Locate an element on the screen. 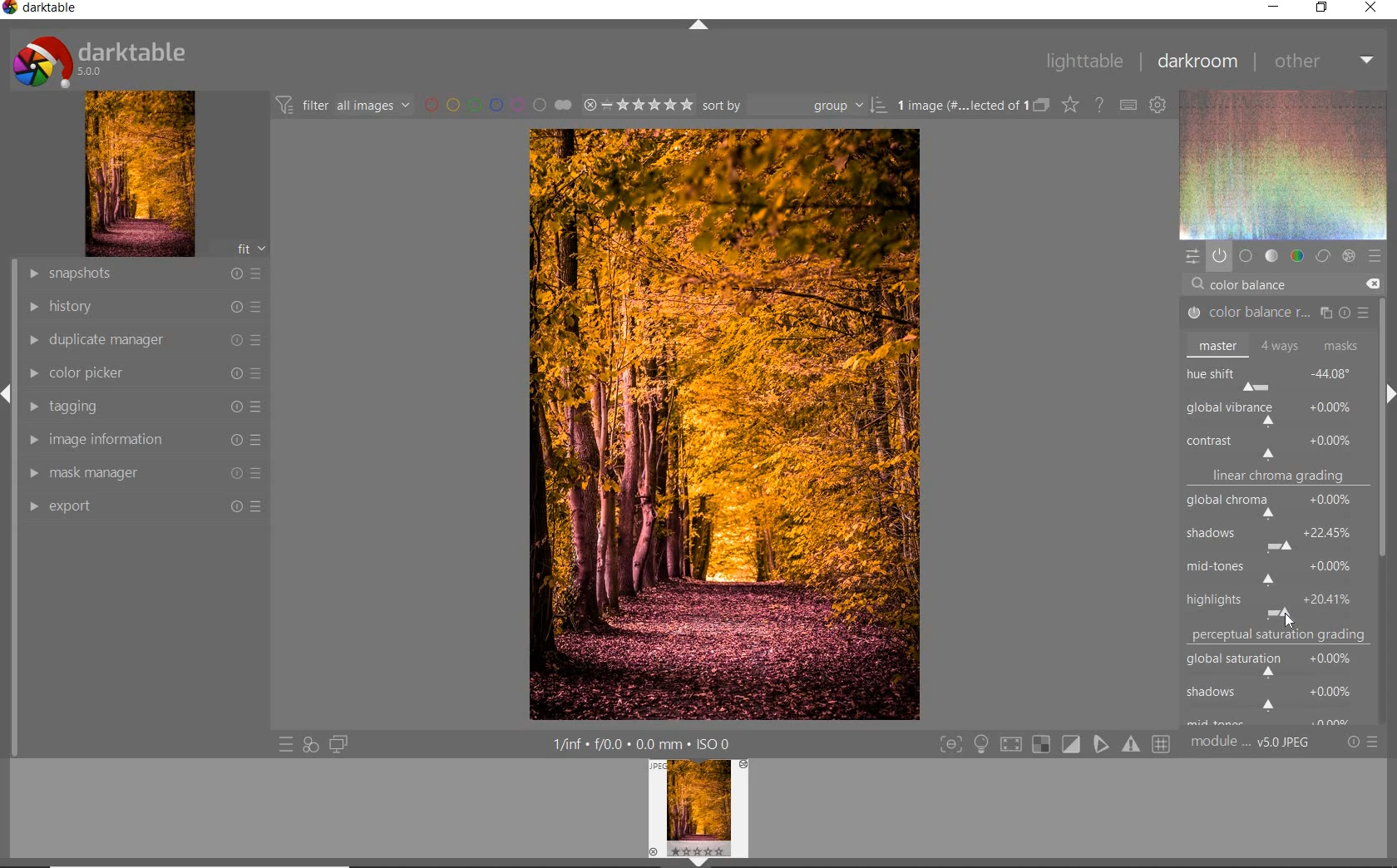 The height and width of the screenshot is (868, 1397). global chroma is located at coordinates (1279, 508).